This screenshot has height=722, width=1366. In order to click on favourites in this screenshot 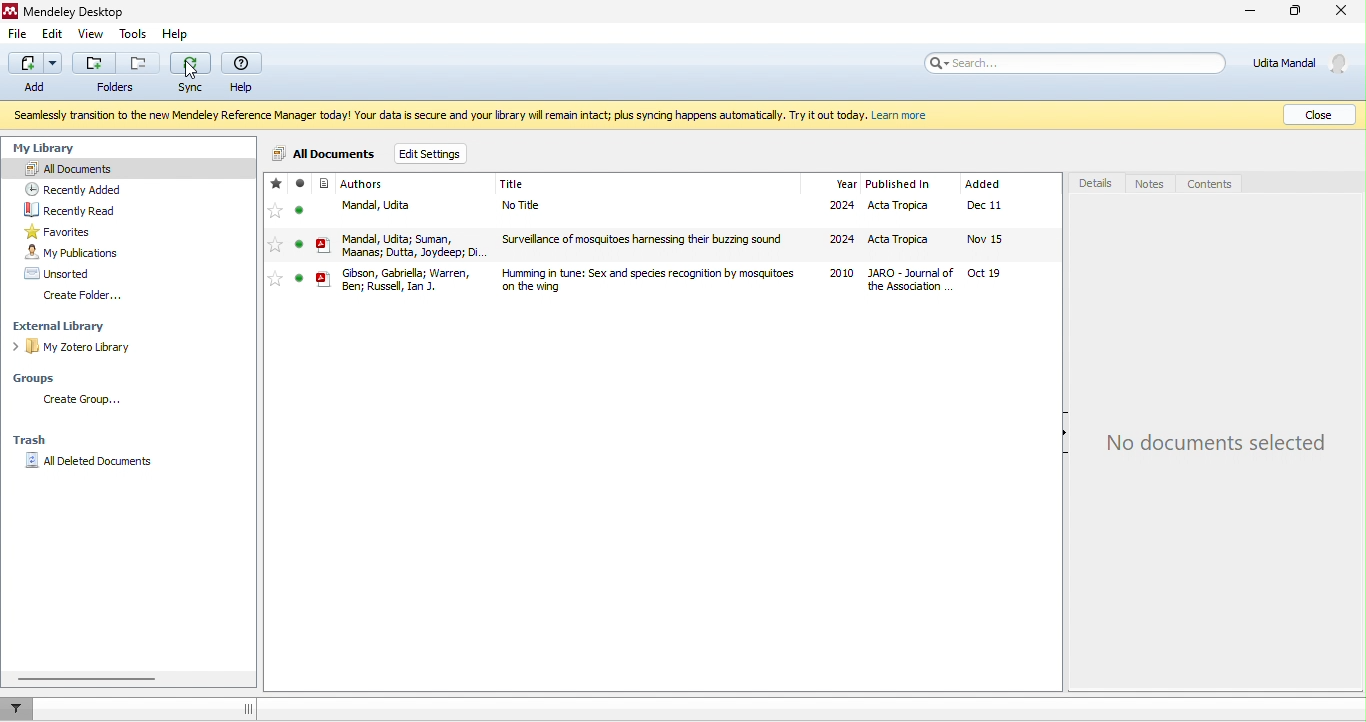, I will do `click(68, 230)`.